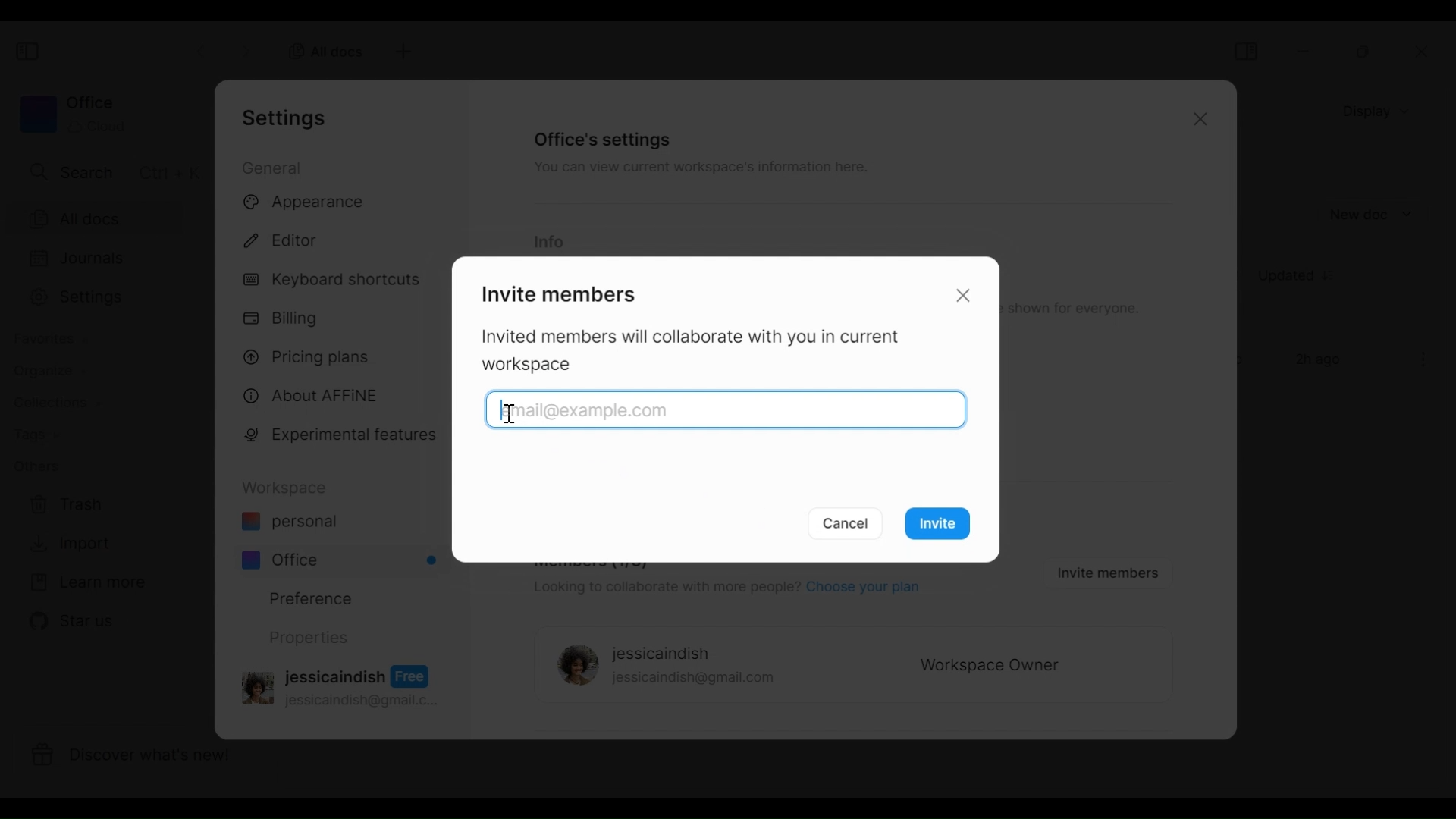 The width and height of the screenshot is (1456, 819). I want to click on Close, so click(966, 294).